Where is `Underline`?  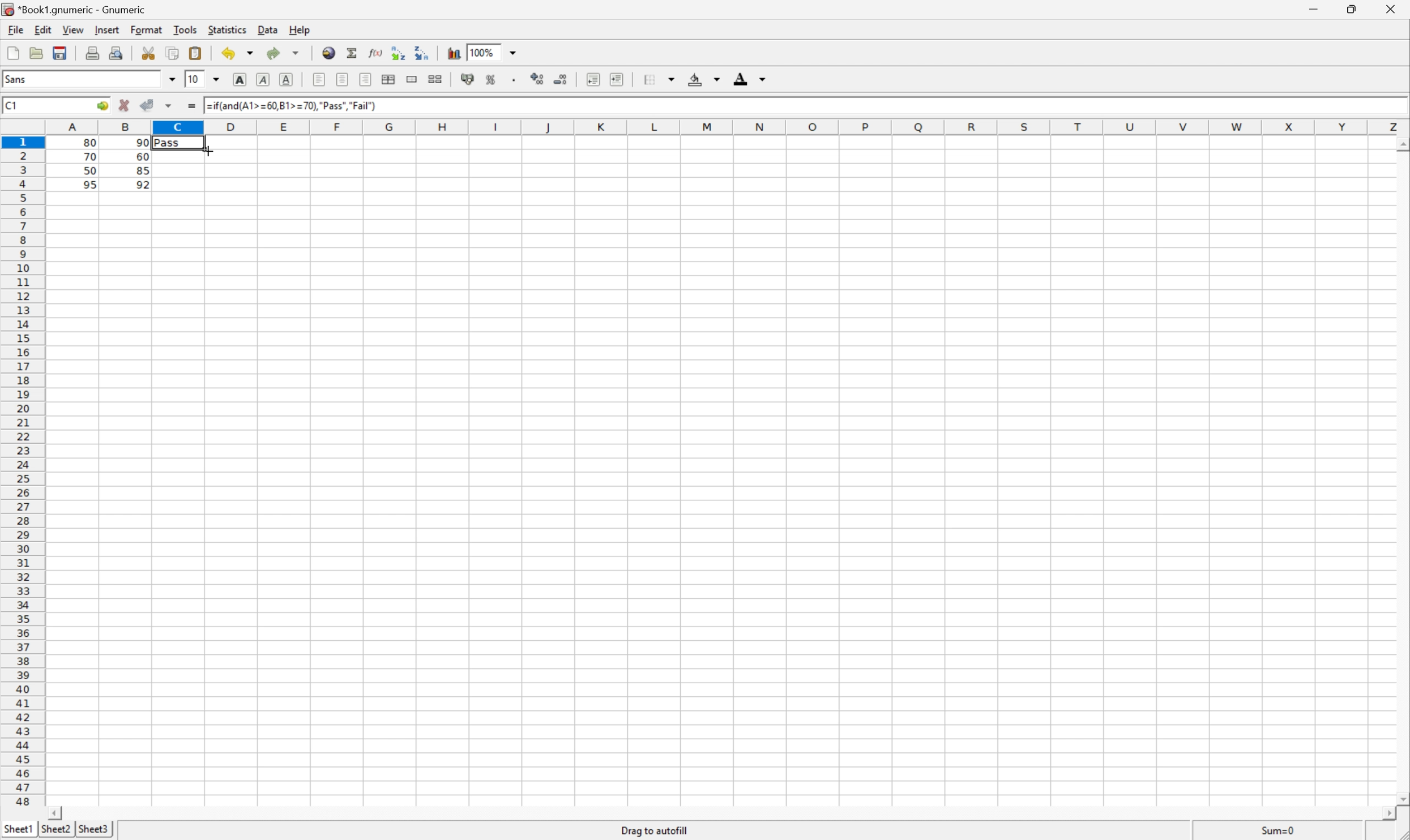 Underline is located at coordinates (288, 79).